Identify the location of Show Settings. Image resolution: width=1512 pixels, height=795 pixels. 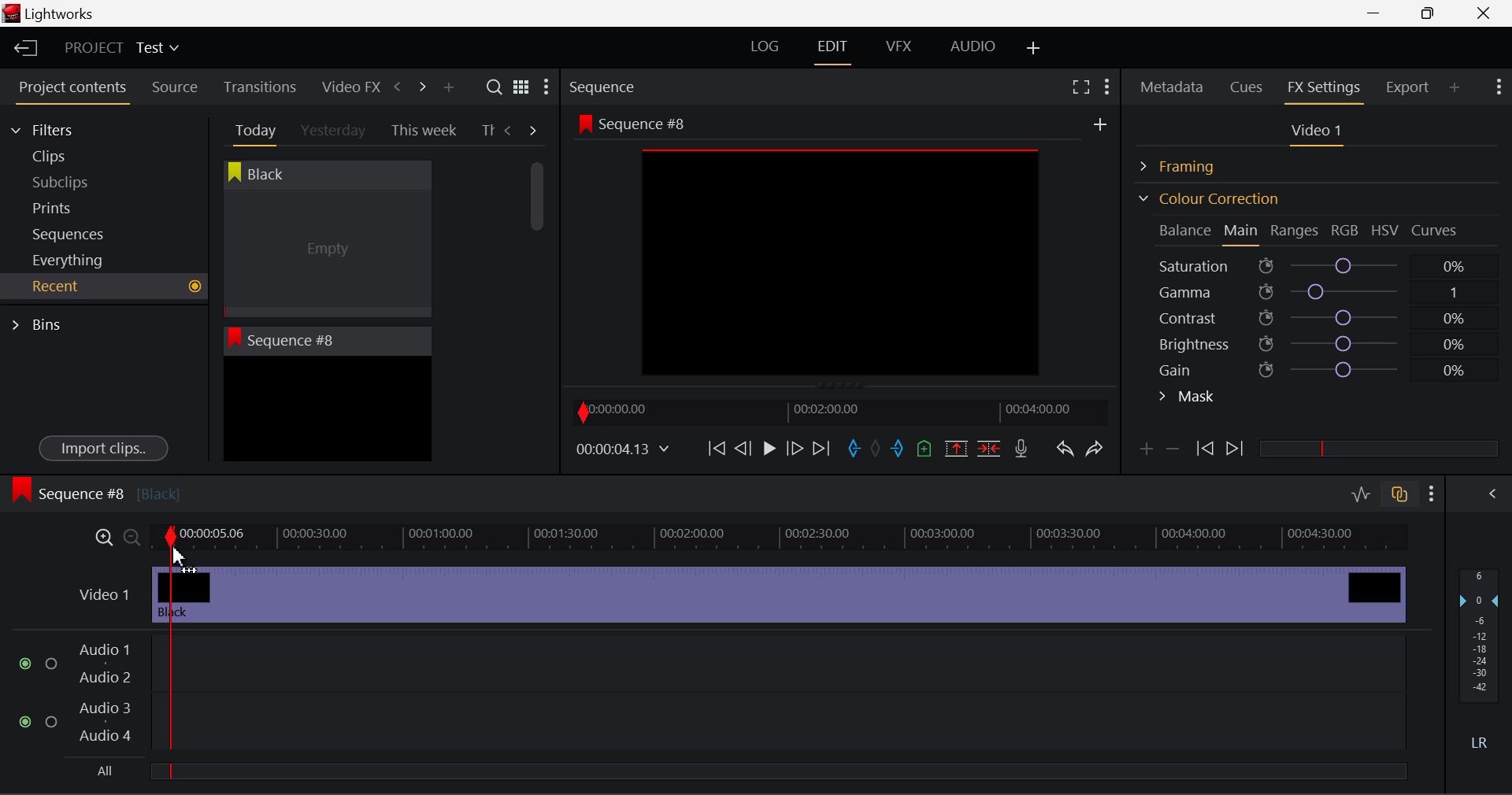
(545, 91).